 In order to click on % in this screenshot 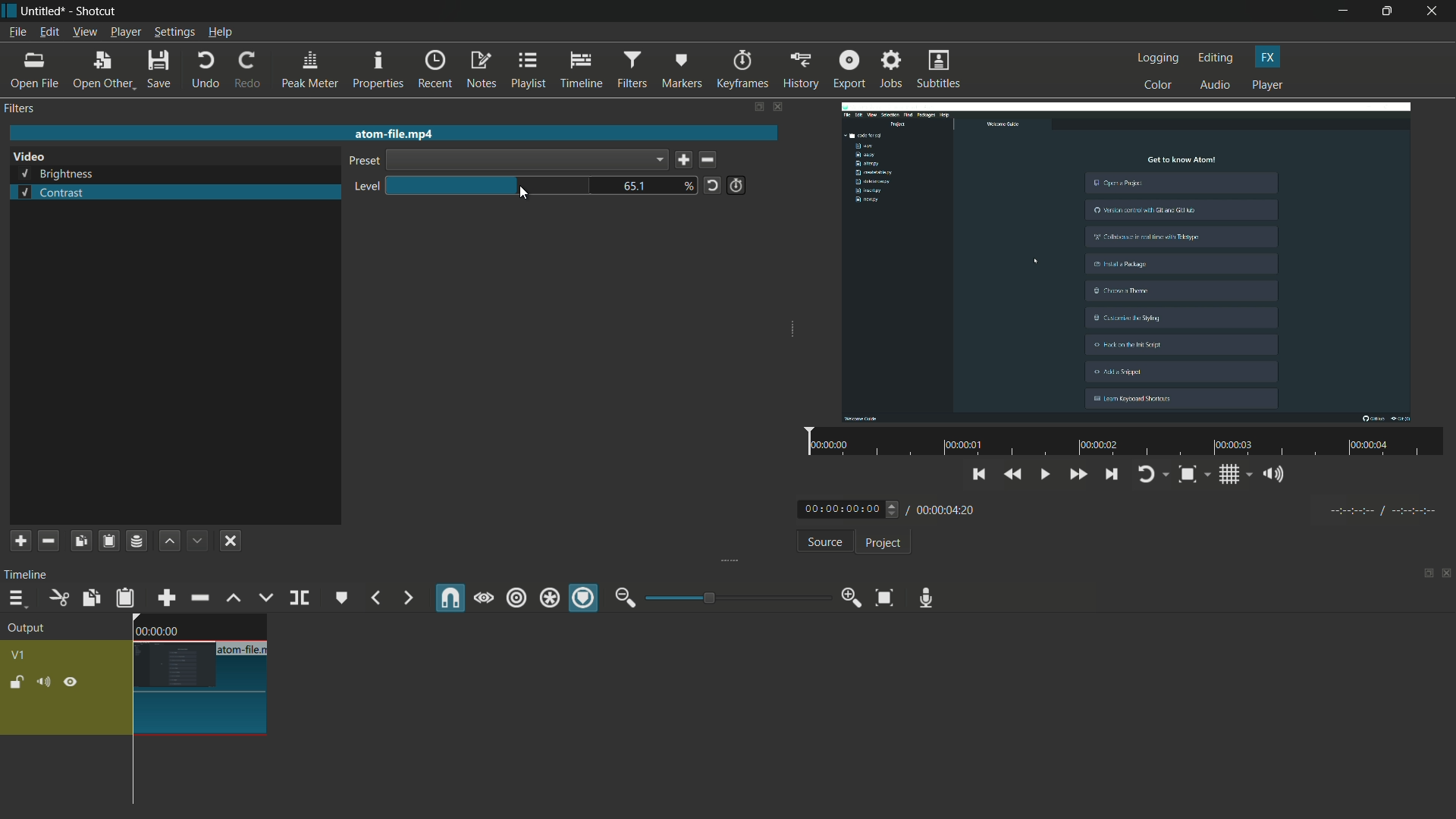, I will do `click(689, 185)`.